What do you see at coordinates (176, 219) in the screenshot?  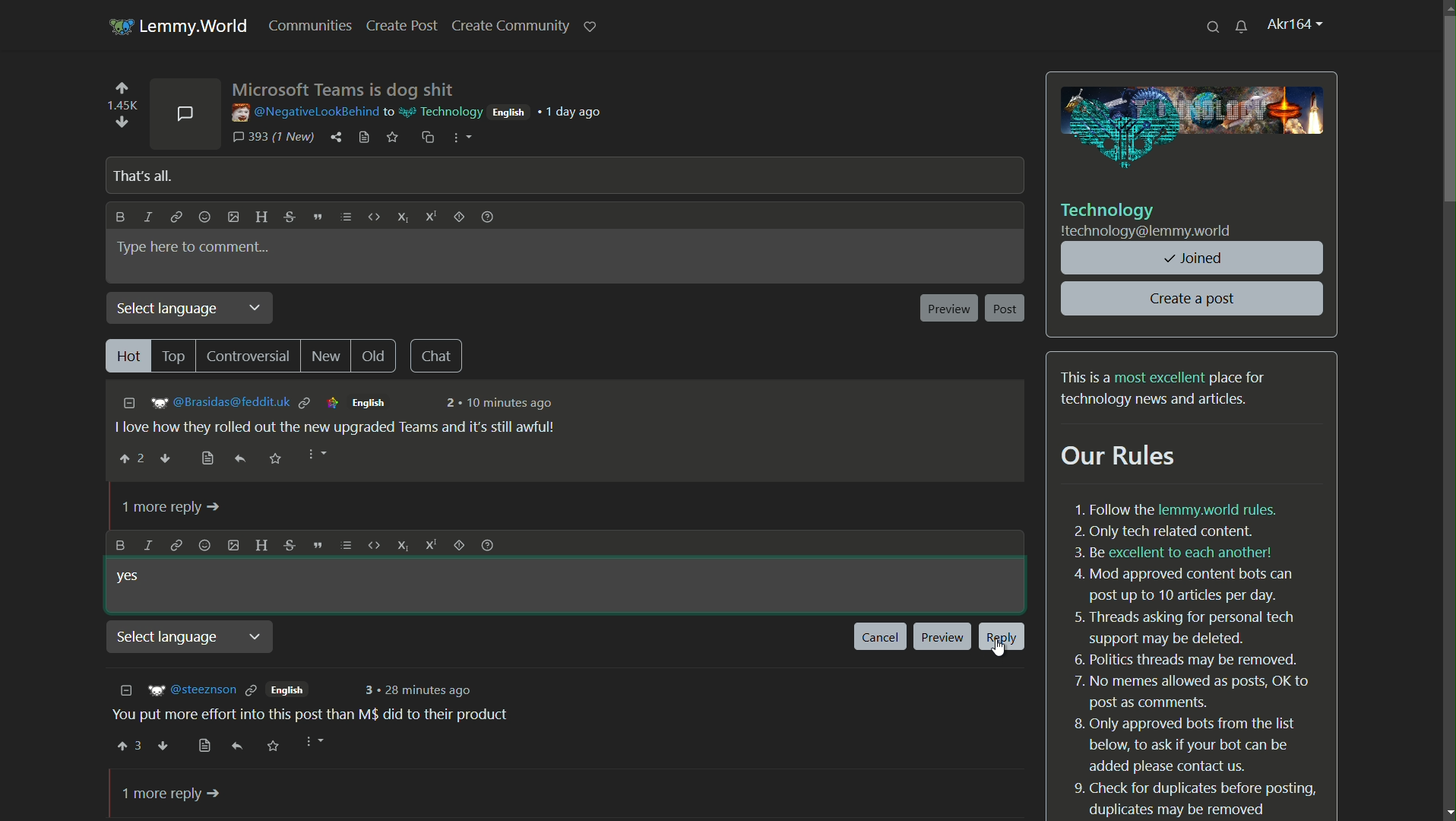 I see `link` at bounding box center [176, 219].